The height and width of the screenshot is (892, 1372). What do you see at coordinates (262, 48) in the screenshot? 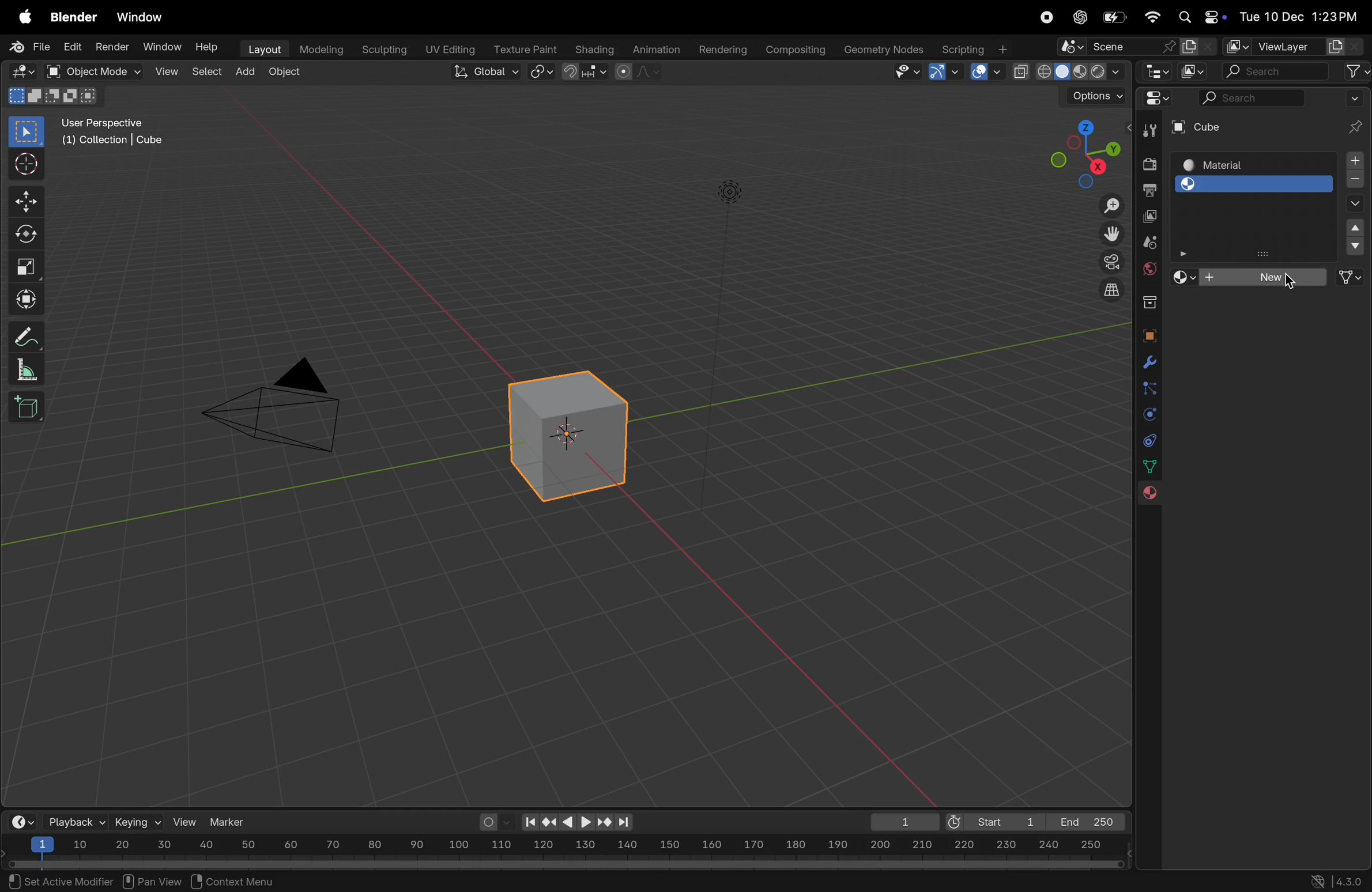
I see `Layout` at bounding box center [262, 48].